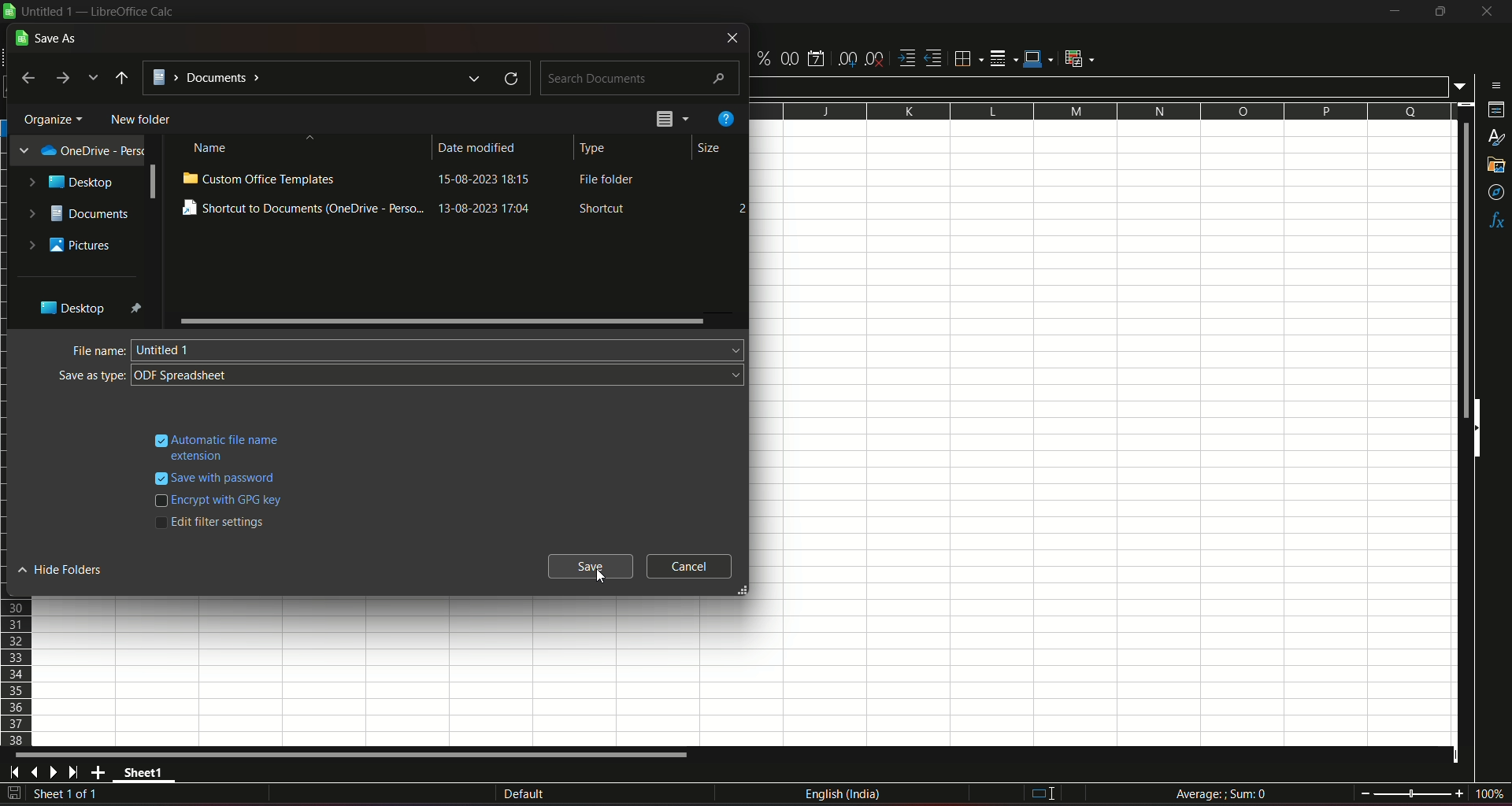 The width and height of the screenshot is (1512, 806). I want to click on file folder, so click(609, 182).